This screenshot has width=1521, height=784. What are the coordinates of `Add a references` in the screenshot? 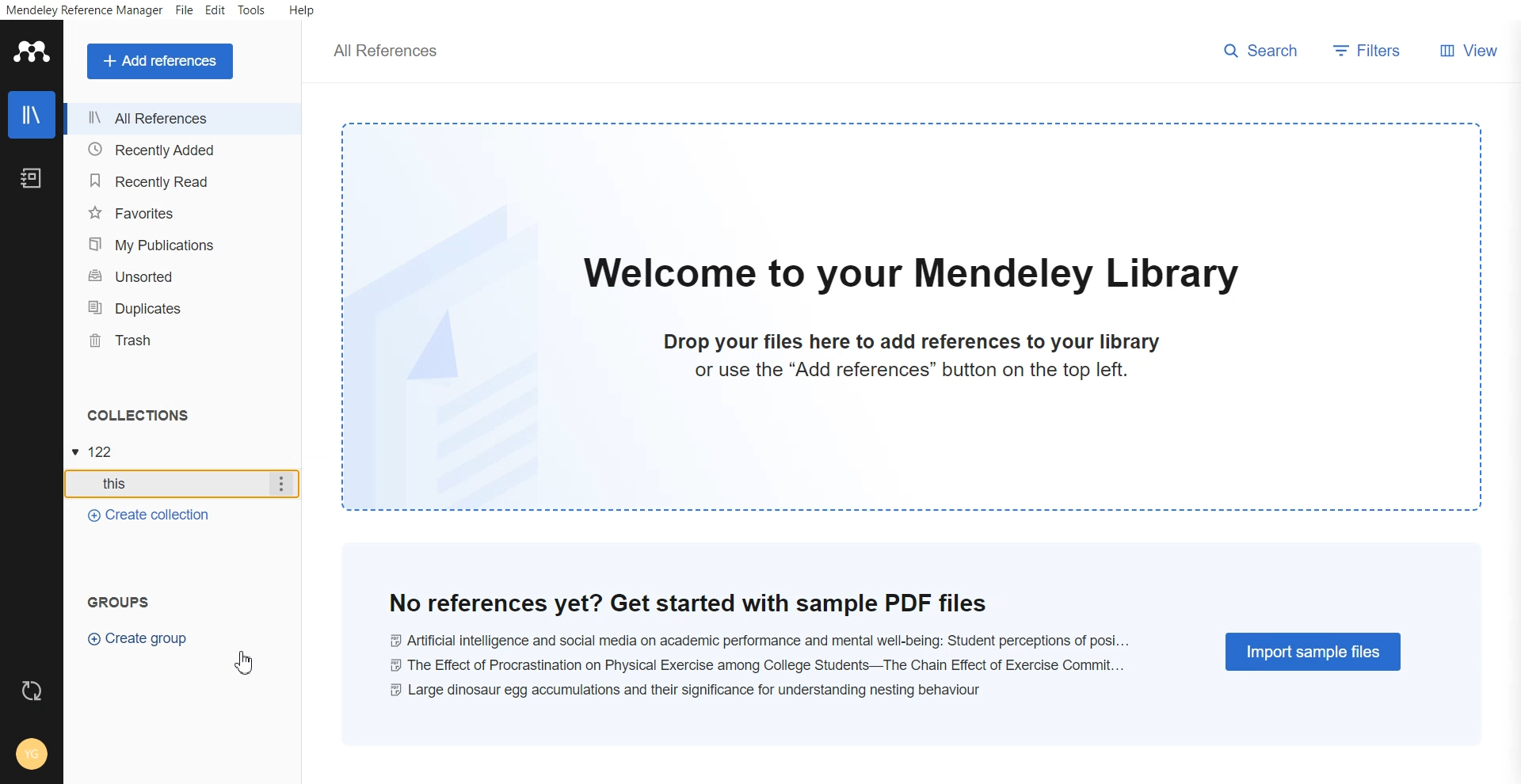 It's located at (158, 62).